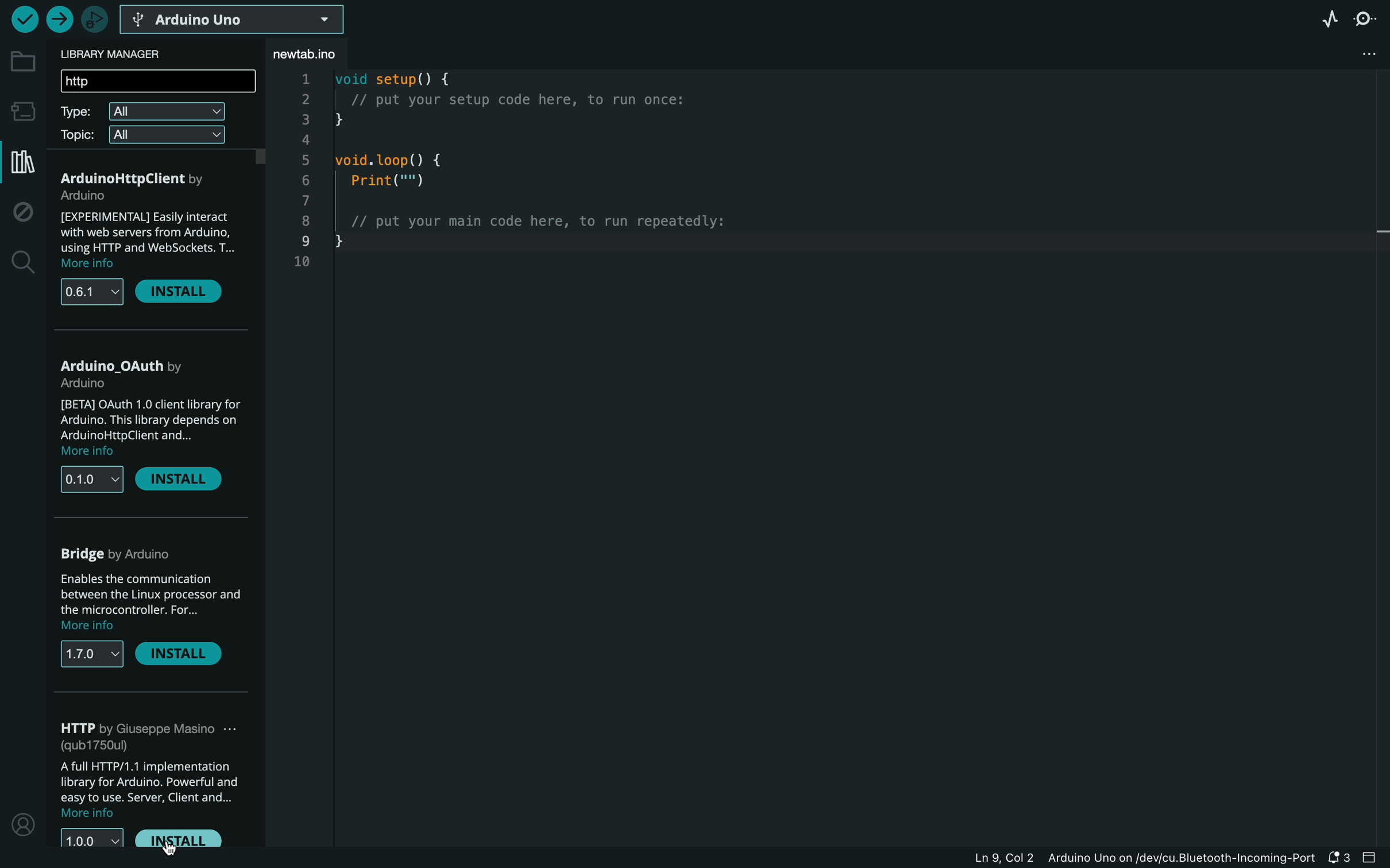 The width and height of the screenshot is (1390, 868). What do you see at coordinates (23, 18) in the screenshot?
I see `verify` at bounding box center [23, 18].